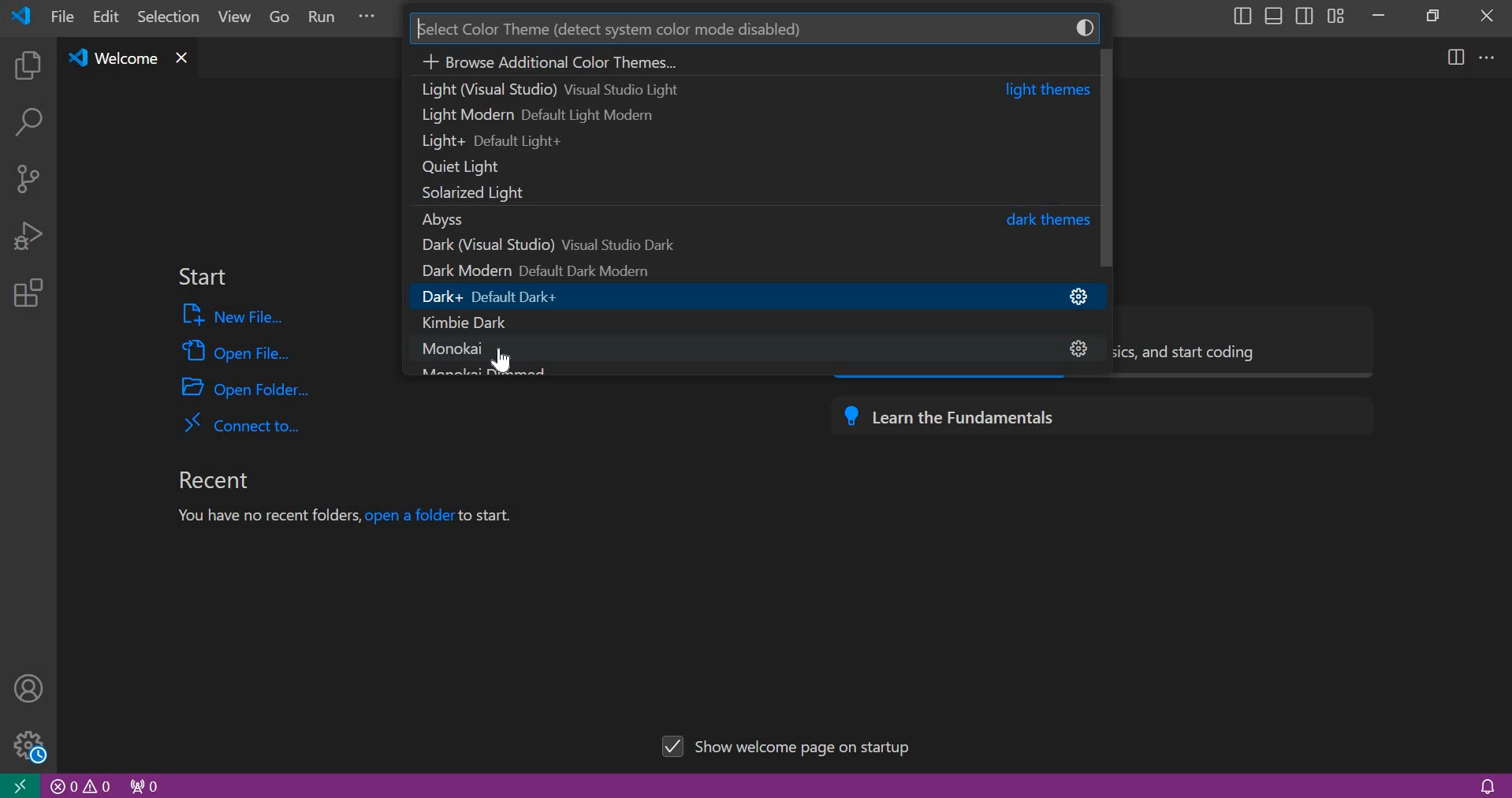  What do you see at coordinates (25, 744) in the screenshot?
I see `manage` at bounding box center [25, 744].